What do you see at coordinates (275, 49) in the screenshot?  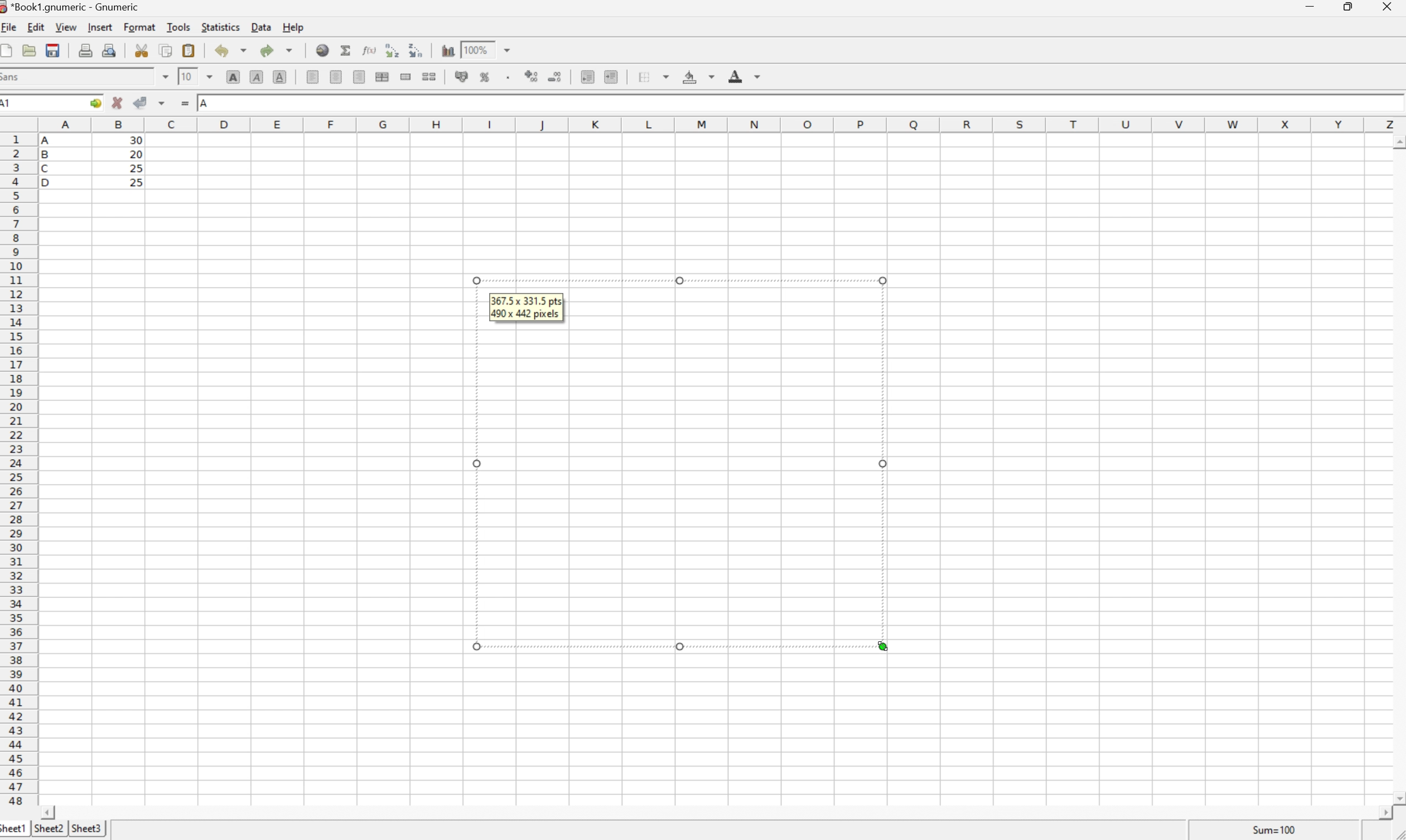 I see `Redo` at bounding box center [275, 49].